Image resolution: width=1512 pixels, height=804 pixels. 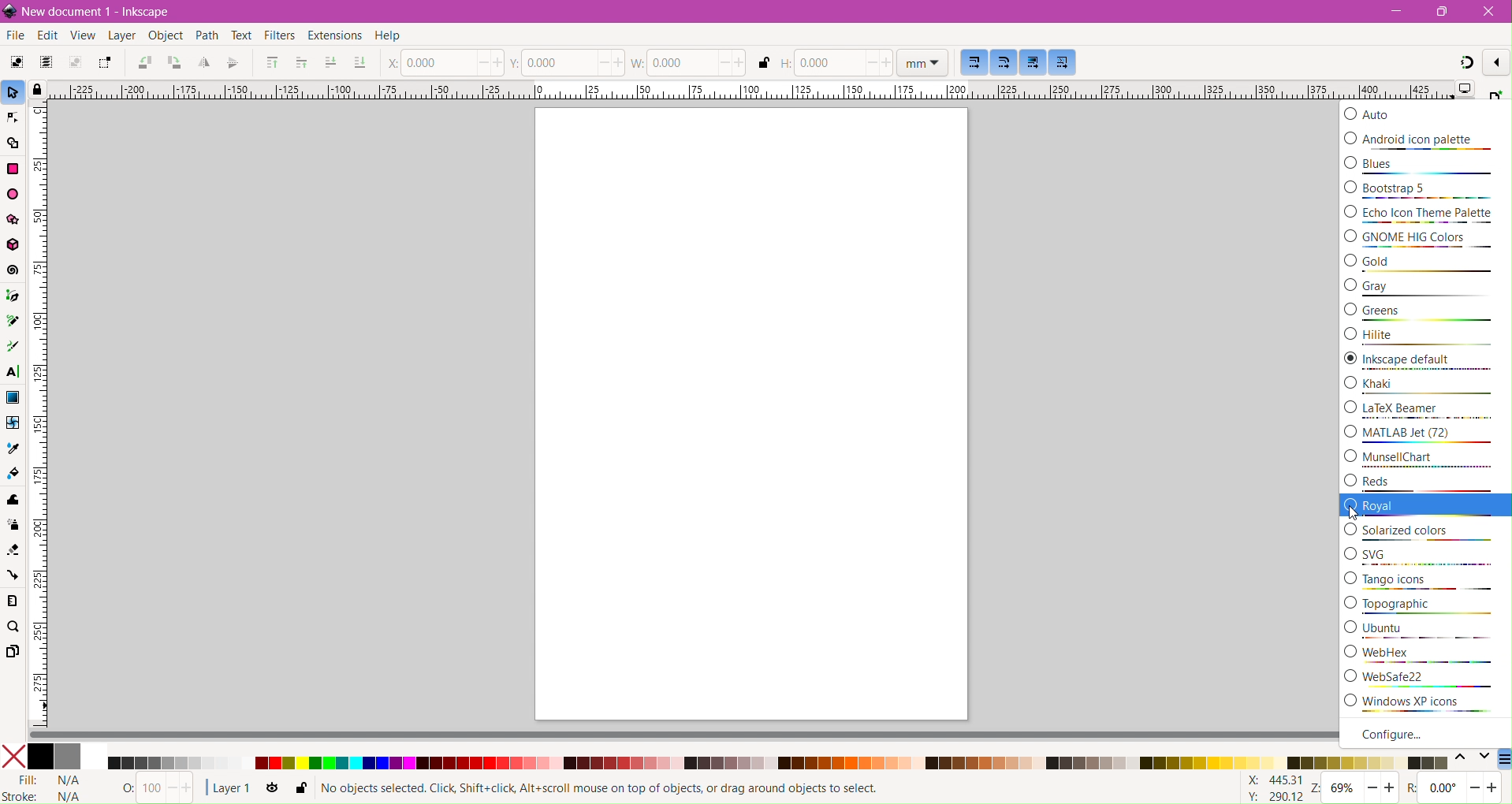 What do you see at coordinates (1425, 337) in the screenshot?
I see `Hilite` at bounding box center [1425, 337].